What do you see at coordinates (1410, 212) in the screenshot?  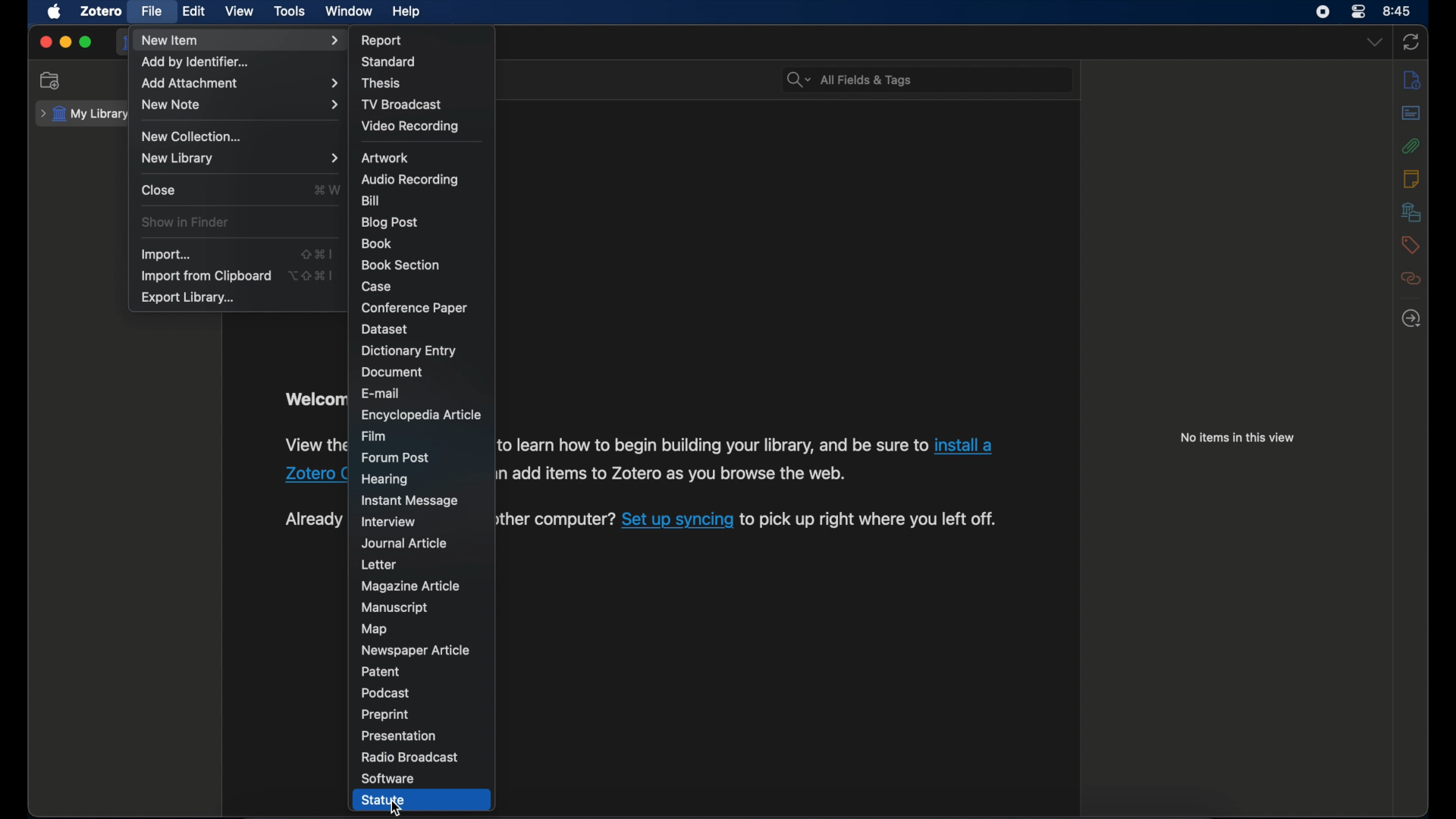 I see `libraries` at bounding box center [1410, 212].